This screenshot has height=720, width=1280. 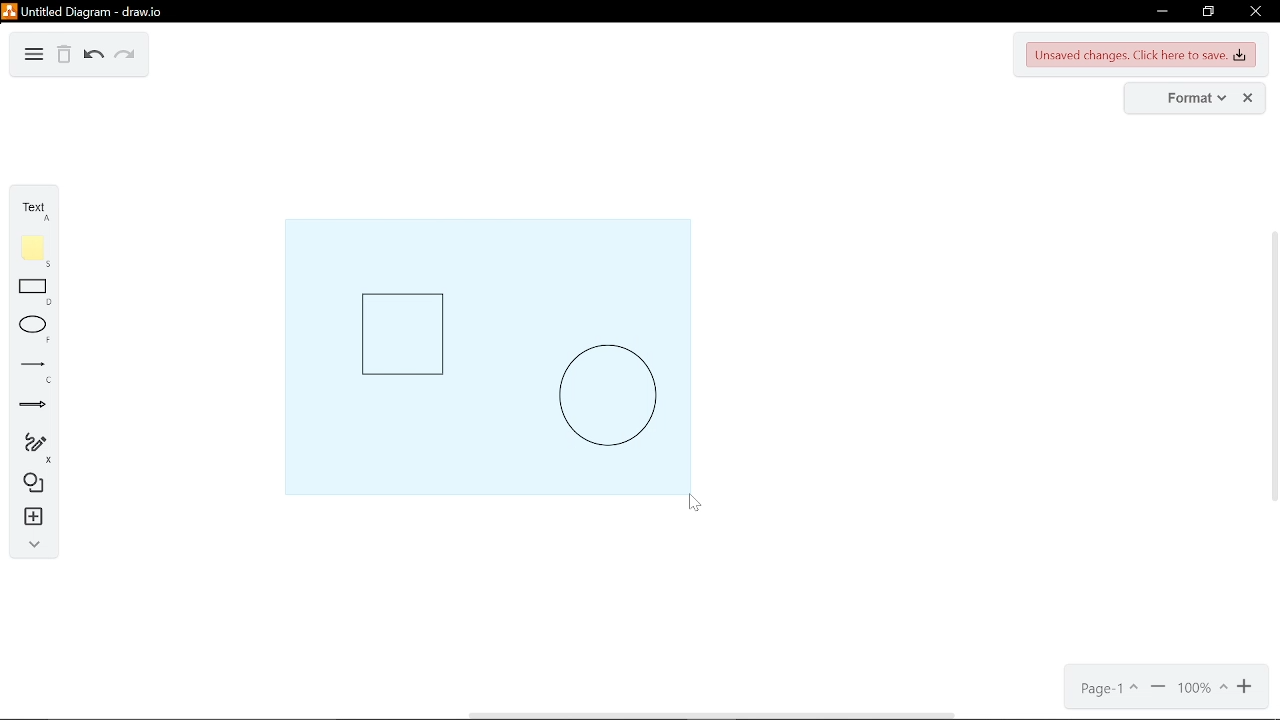 What do you see at coordinates (30, 484) in the screenshot?
I see `shapes` at bounding box center [30, 484].